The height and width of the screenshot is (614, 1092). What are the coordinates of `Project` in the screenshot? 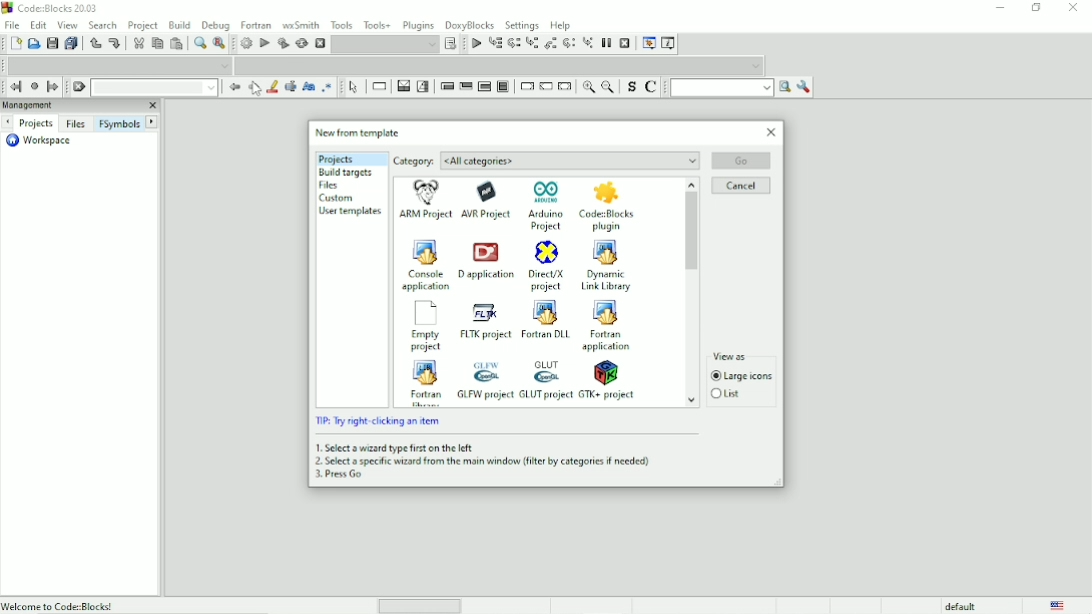 It's located at (144, 24).